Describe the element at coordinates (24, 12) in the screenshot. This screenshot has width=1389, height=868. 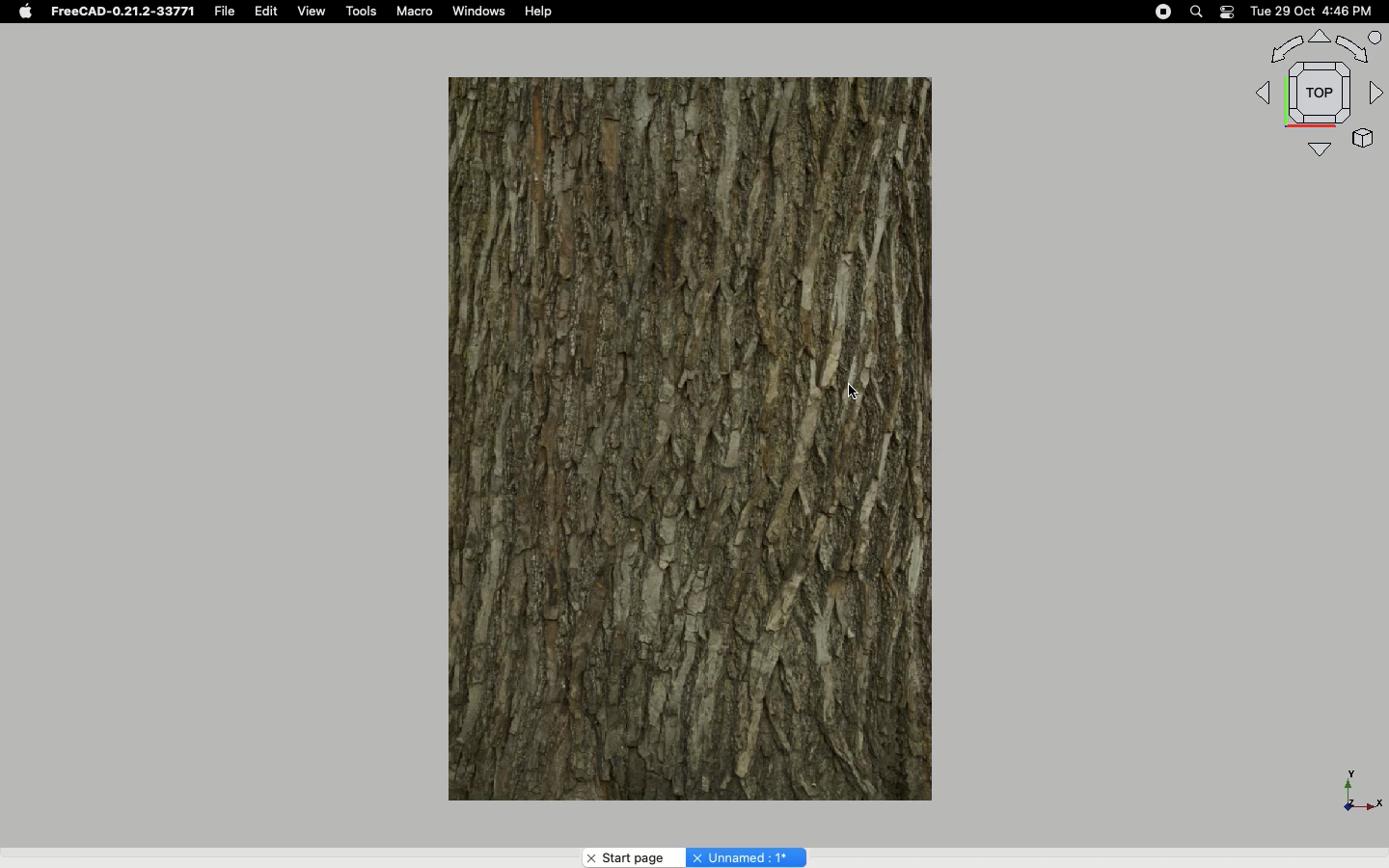
I see `Apple logo` at that location.